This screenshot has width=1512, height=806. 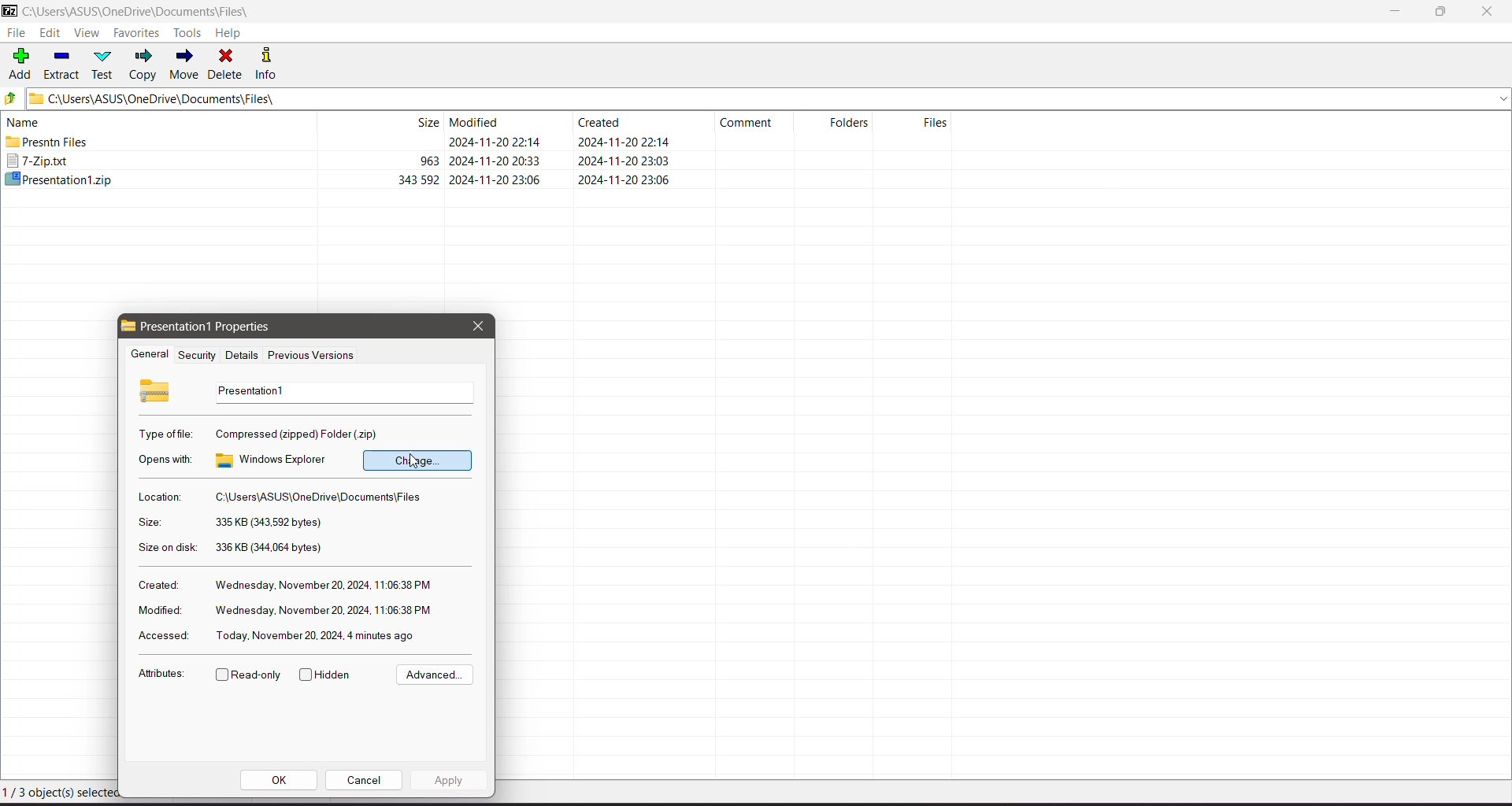 I want to click on Modified, so click(x=157, y=610).